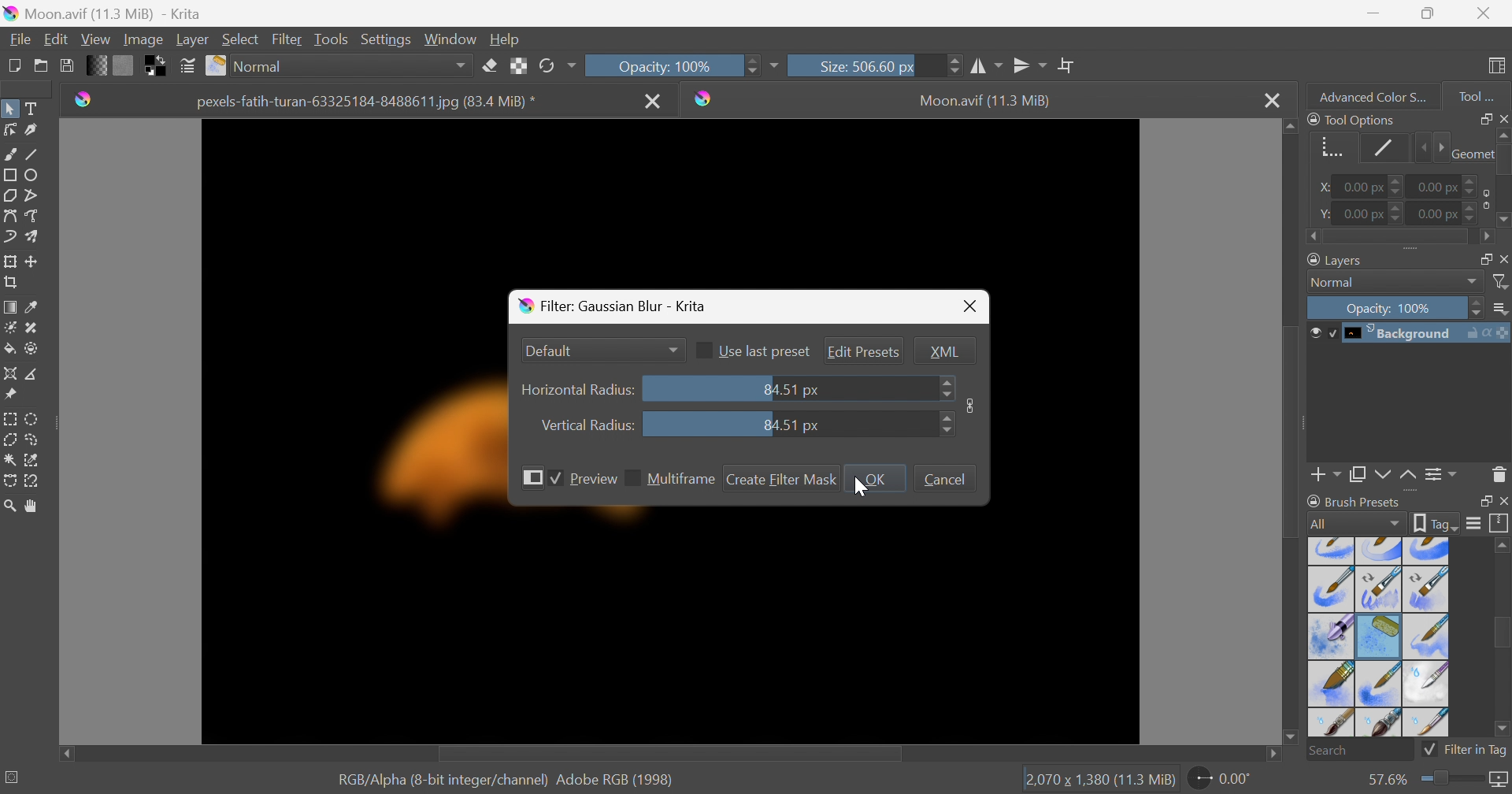  I want to click on Close, so click(654, 102).